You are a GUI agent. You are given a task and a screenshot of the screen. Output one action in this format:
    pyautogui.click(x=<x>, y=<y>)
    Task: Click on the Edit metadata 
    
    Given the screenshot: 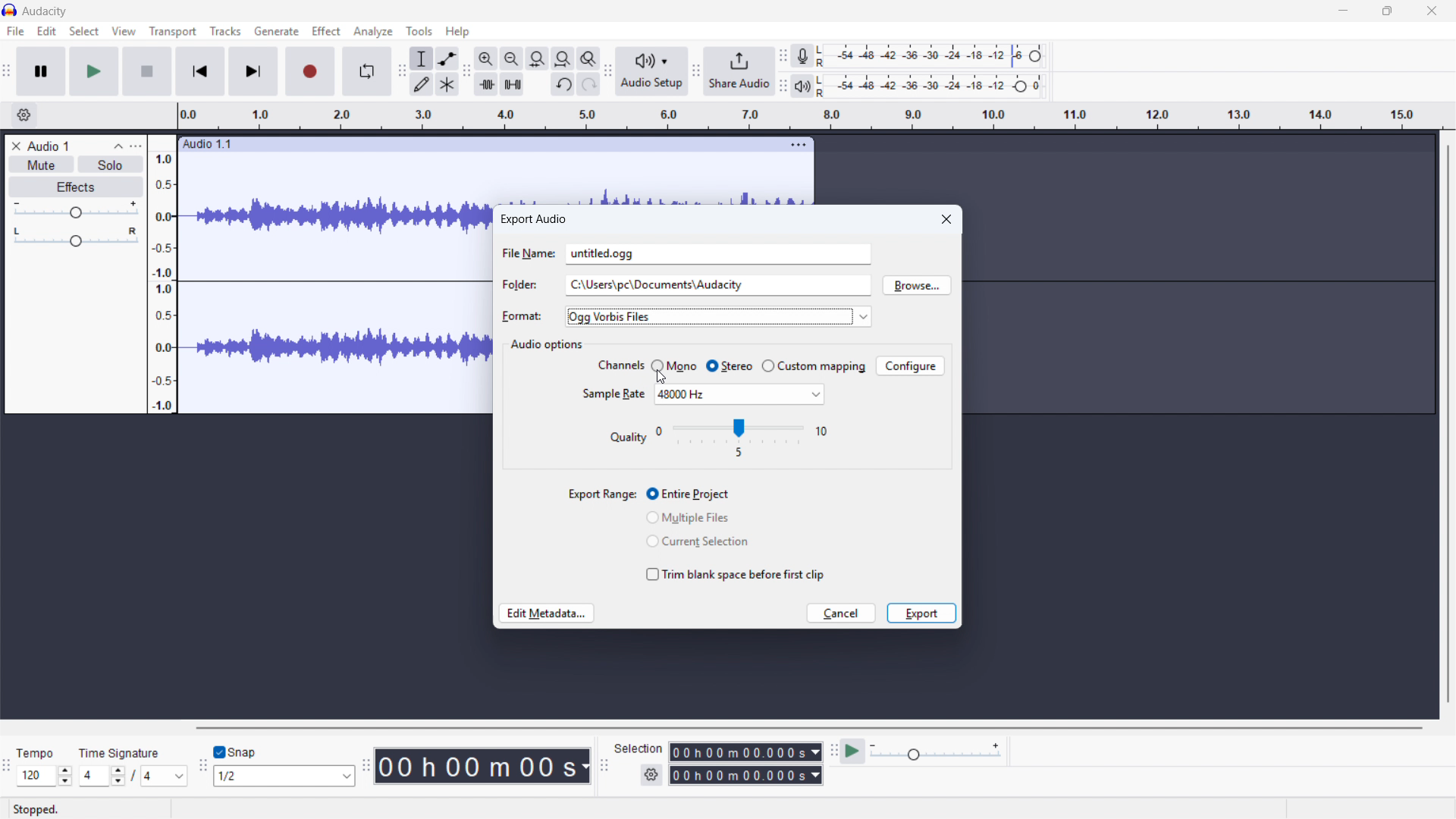 What is the action you would take?
    pyautogui.click(x=548, y=615)
    